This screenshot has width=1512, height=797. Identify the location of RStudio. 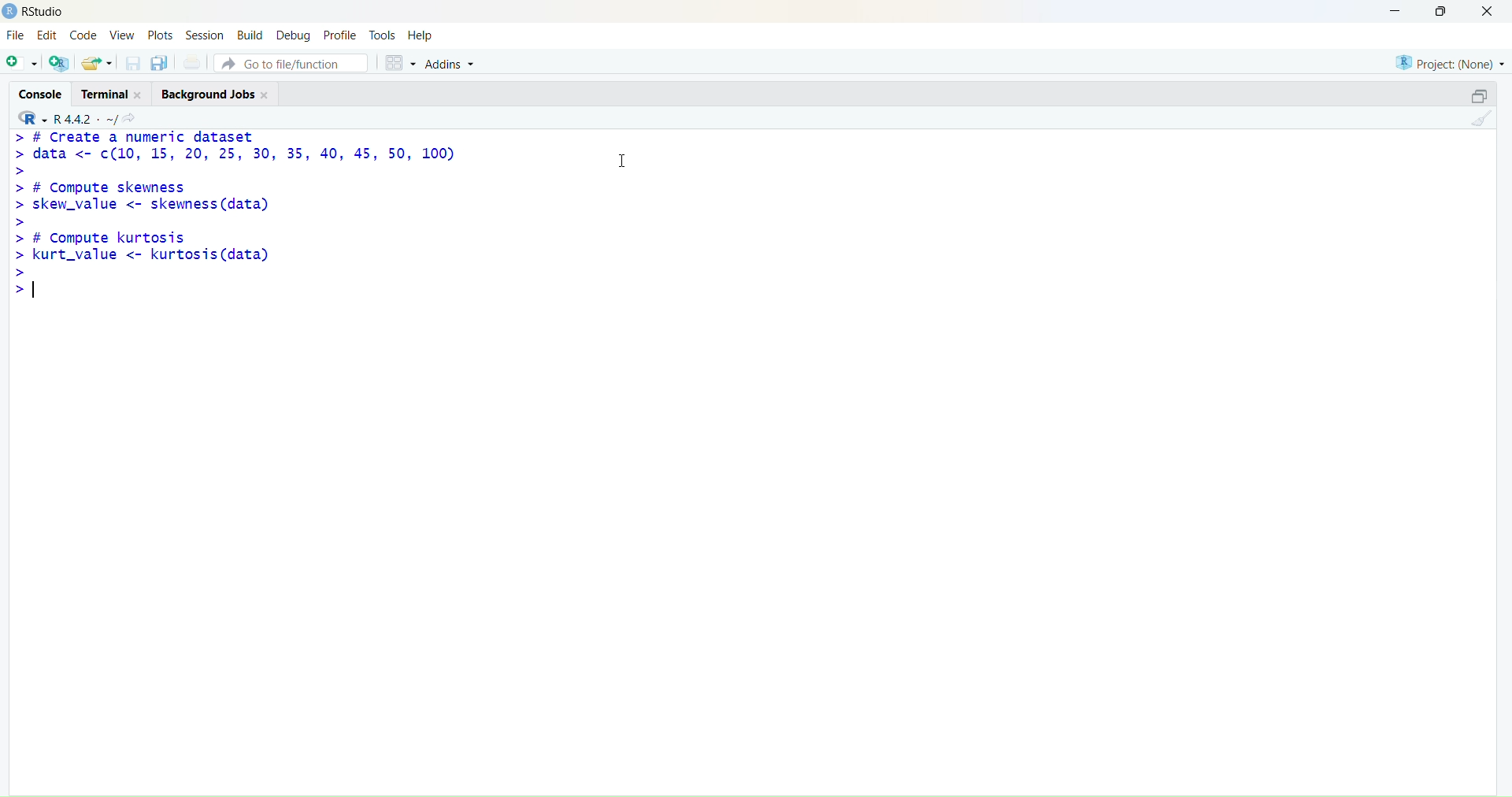
(33, 12).